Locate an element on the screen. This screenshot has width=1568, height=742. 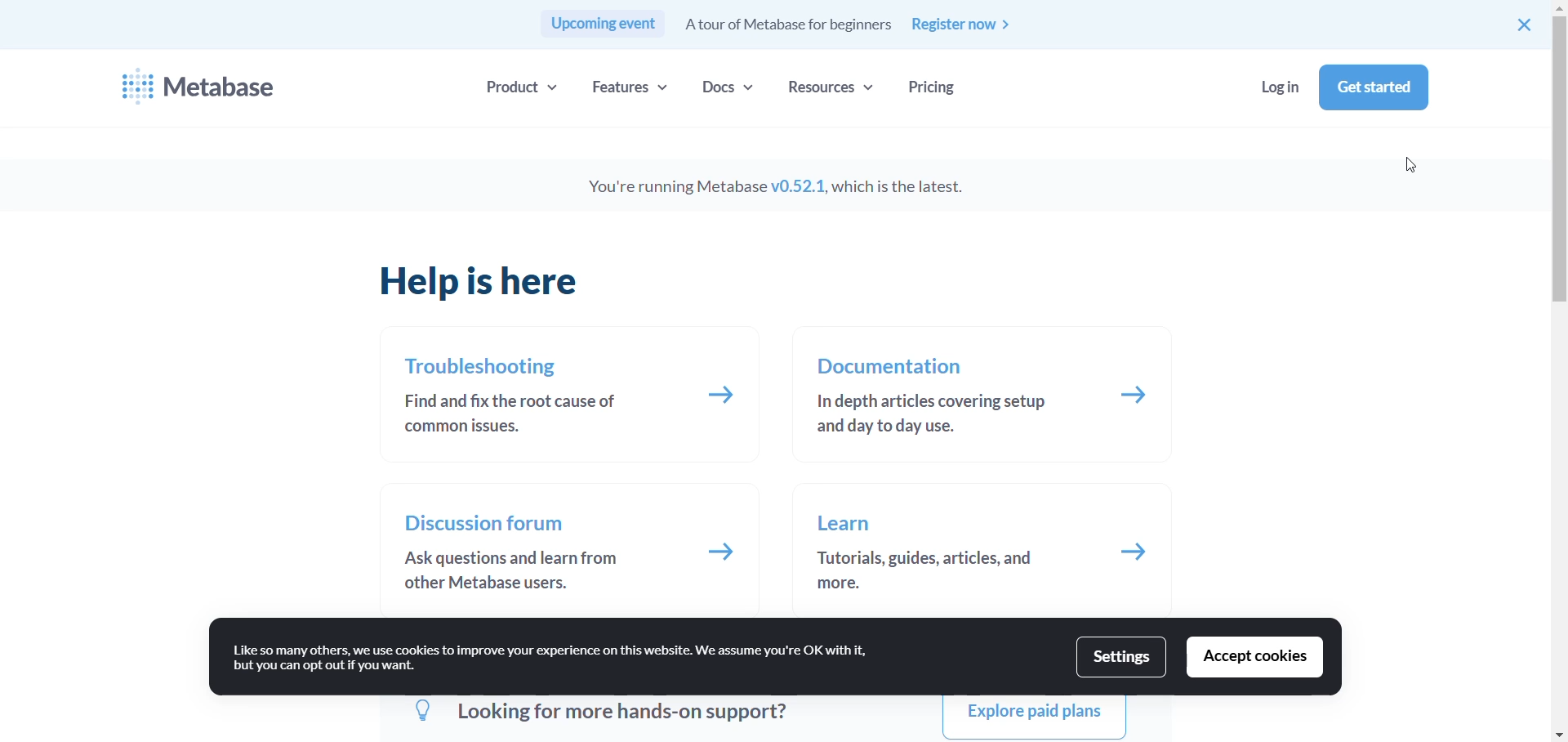
move down button is located at coordinates (1558, 737).